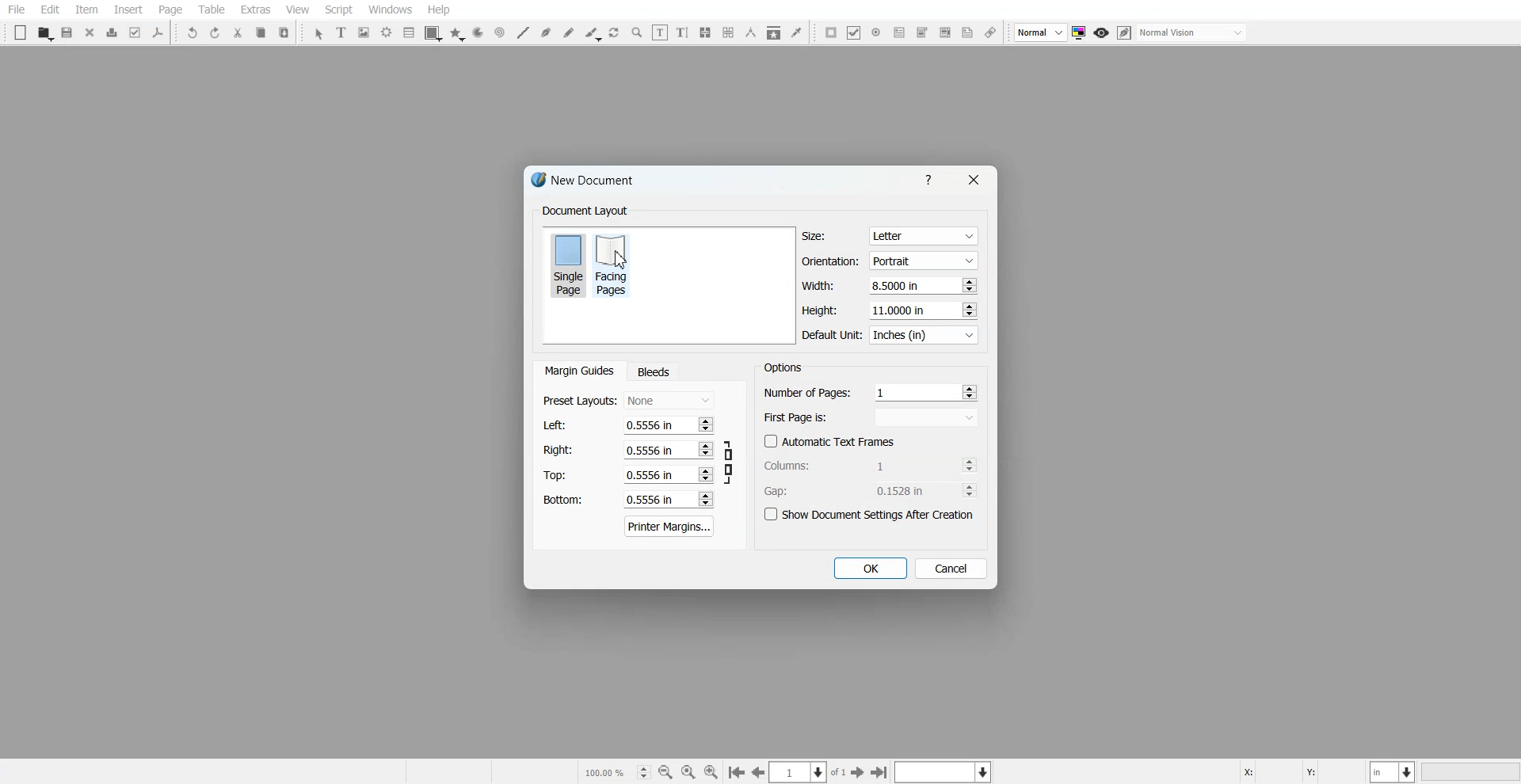 The width and height of the screenshot is (1521, 784). What do you see at coordinates (170, 10) in the screenshot?
I see `Page` at bounding box center [170, 10].